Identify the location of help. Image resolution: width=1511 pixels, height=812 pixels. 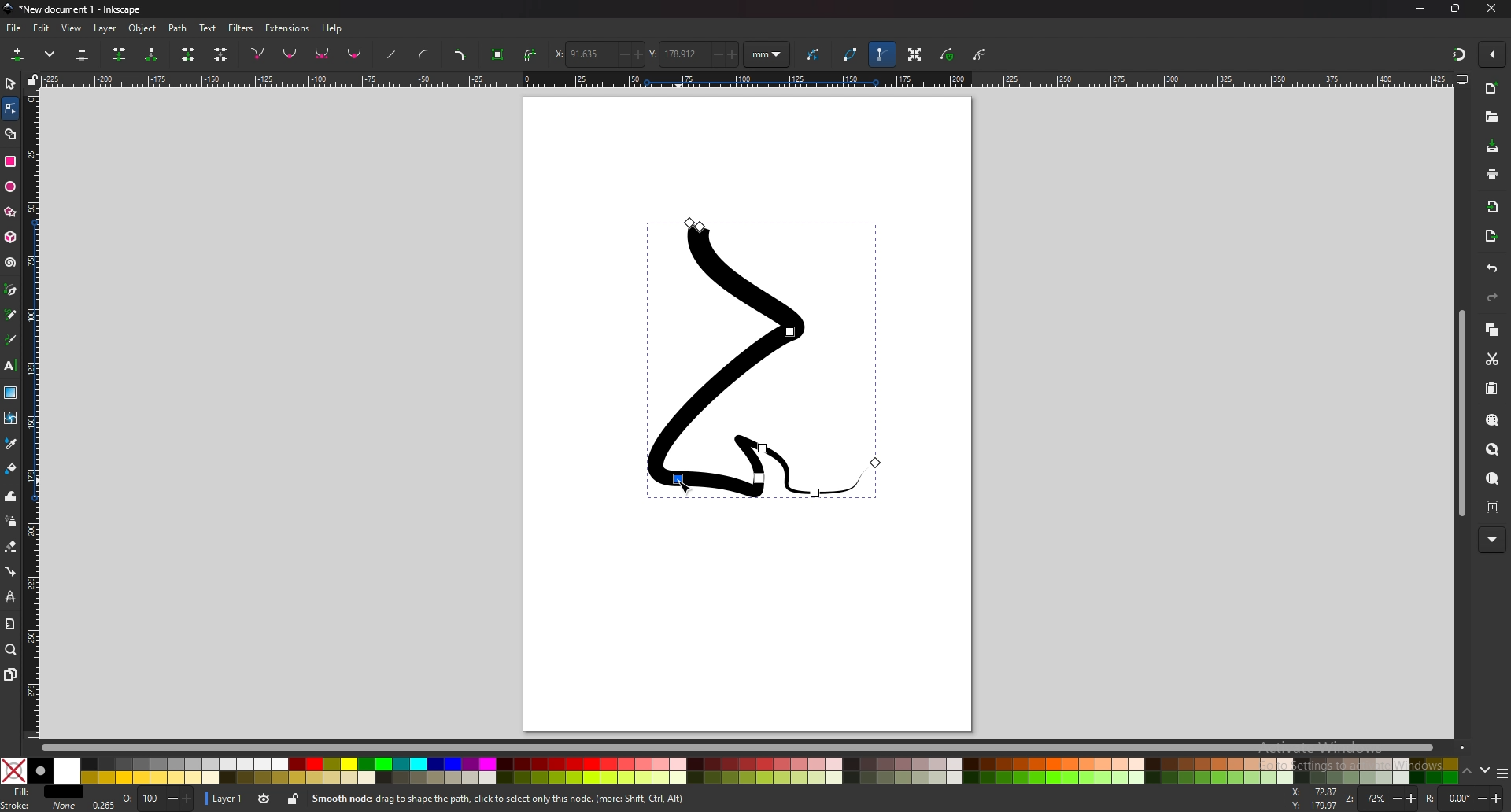
(335, 28).